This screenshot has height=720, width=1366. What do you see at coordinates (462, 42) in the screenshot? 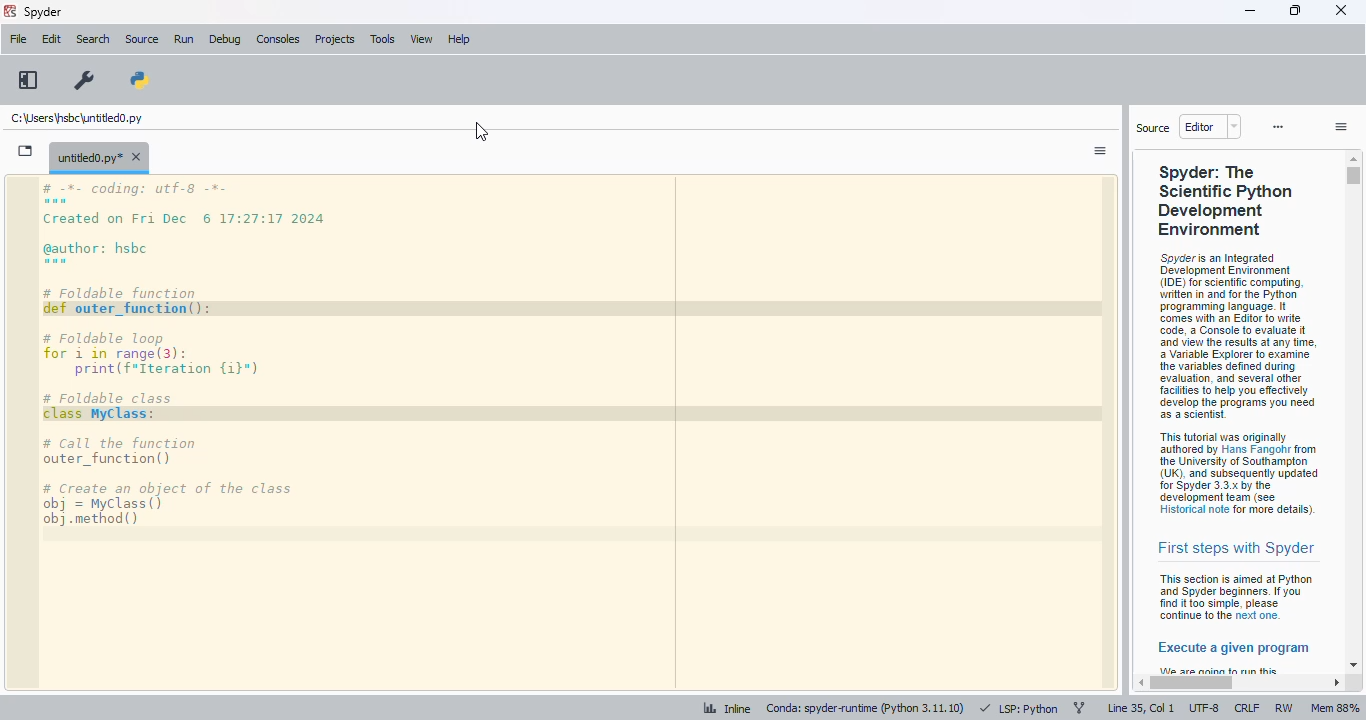
I see `help` at bounding box center [462, 42].